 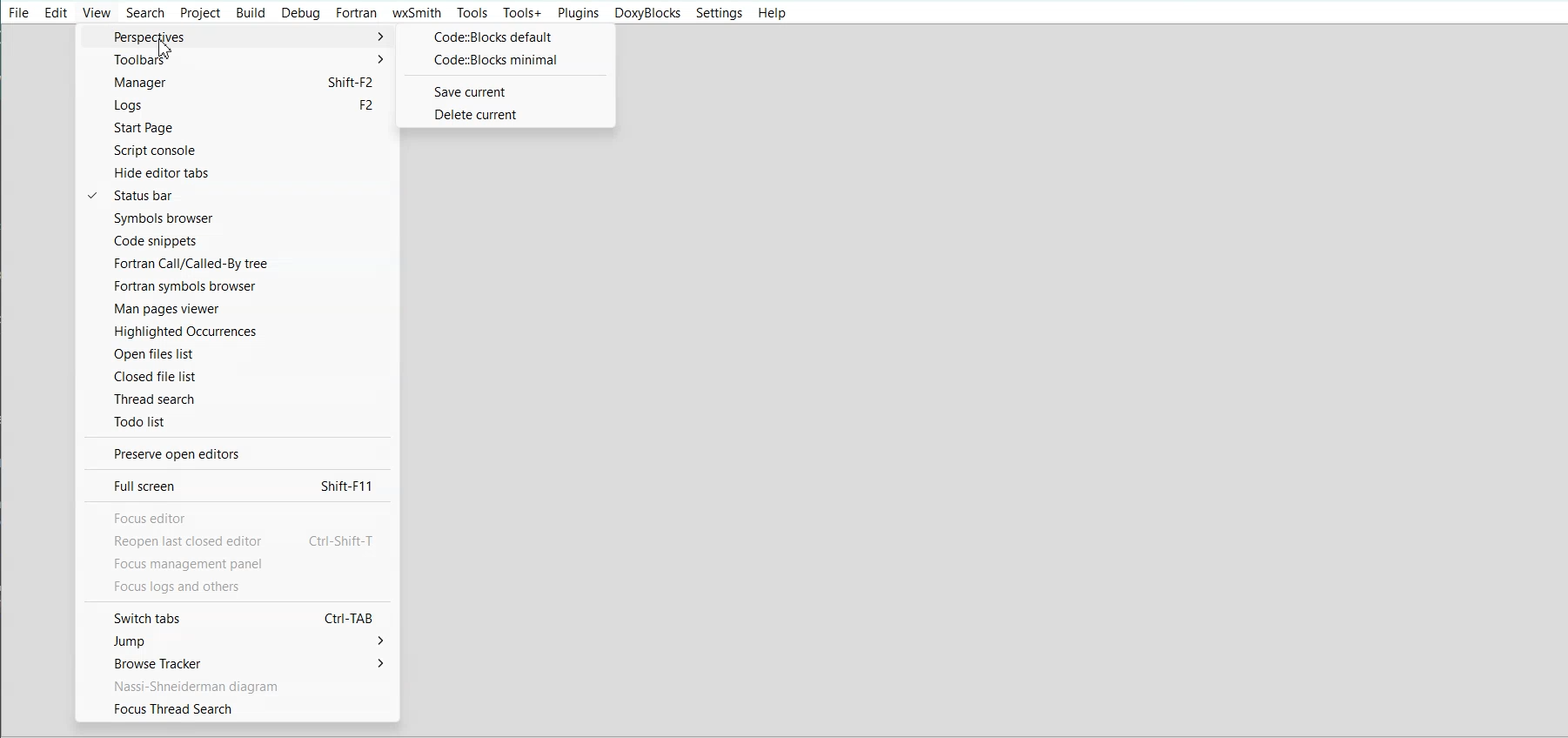 What do you see at coordinates (245, 641) in the screenshot?
I see `Jump` at bounding box center [245, 641].